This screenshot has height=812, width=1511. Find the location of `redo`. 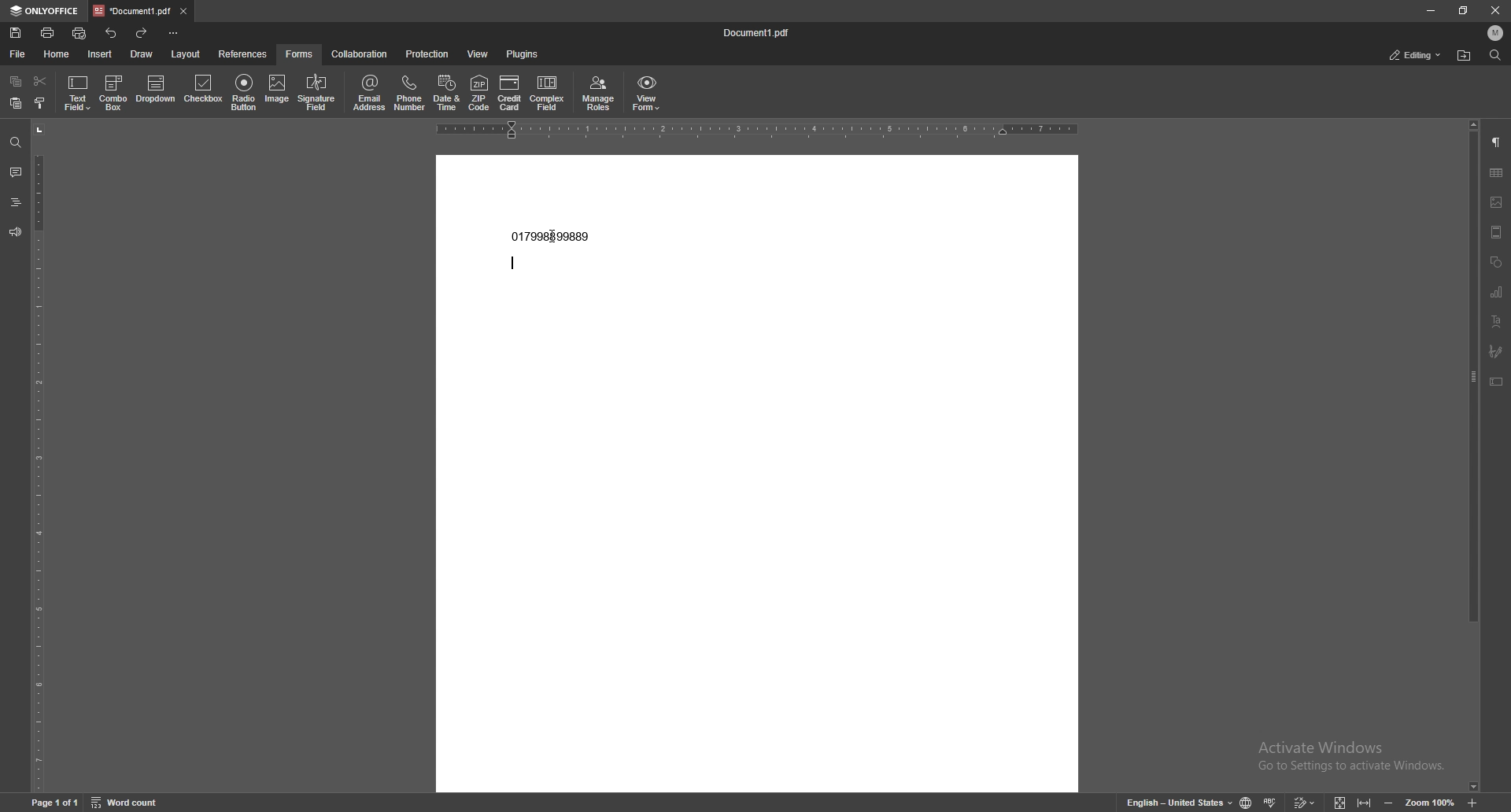

redo is located at coordinates (142, 33).